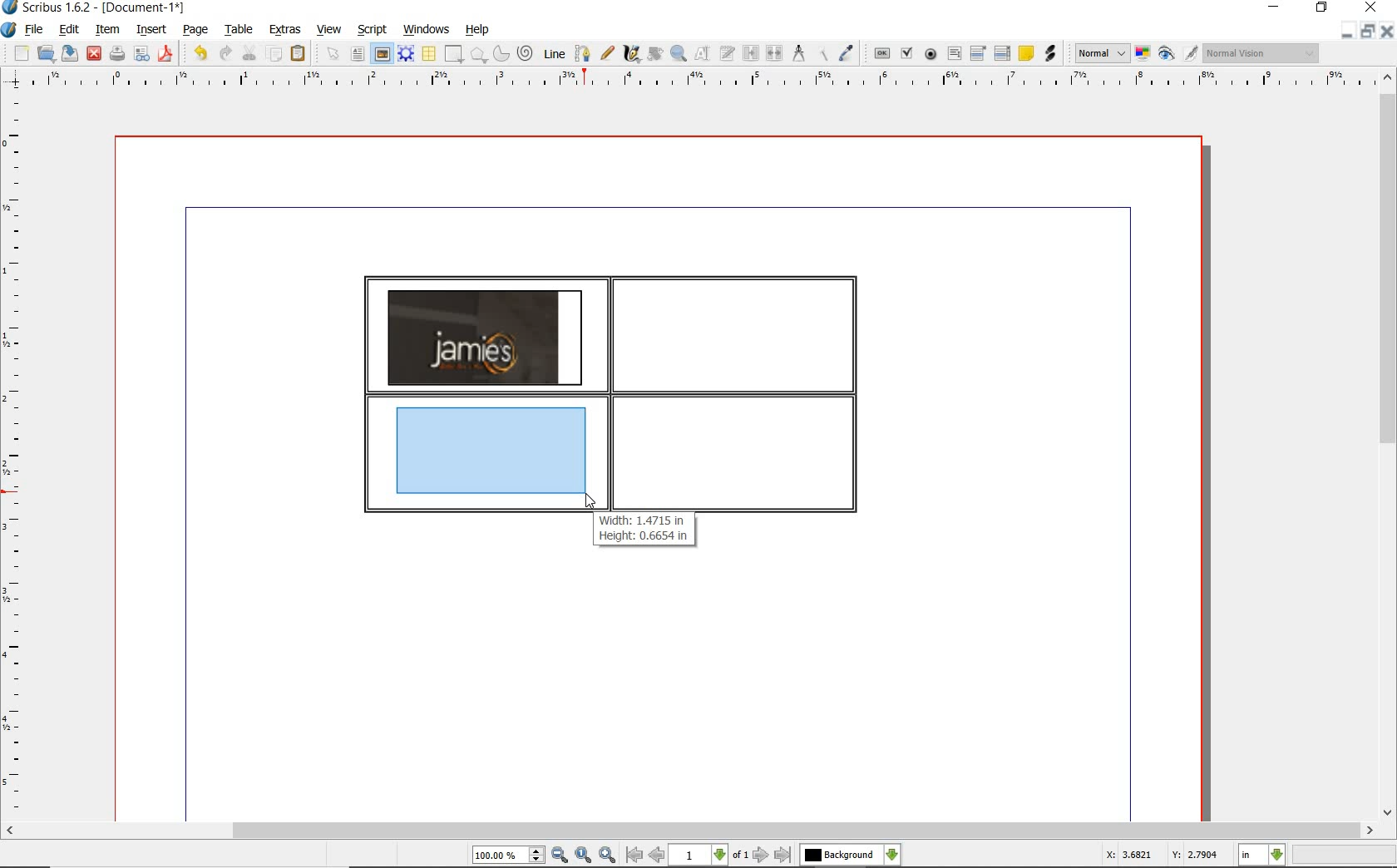 The width and height of the screenshot is (1397, 868). I want to click on print, so click(116, 53).